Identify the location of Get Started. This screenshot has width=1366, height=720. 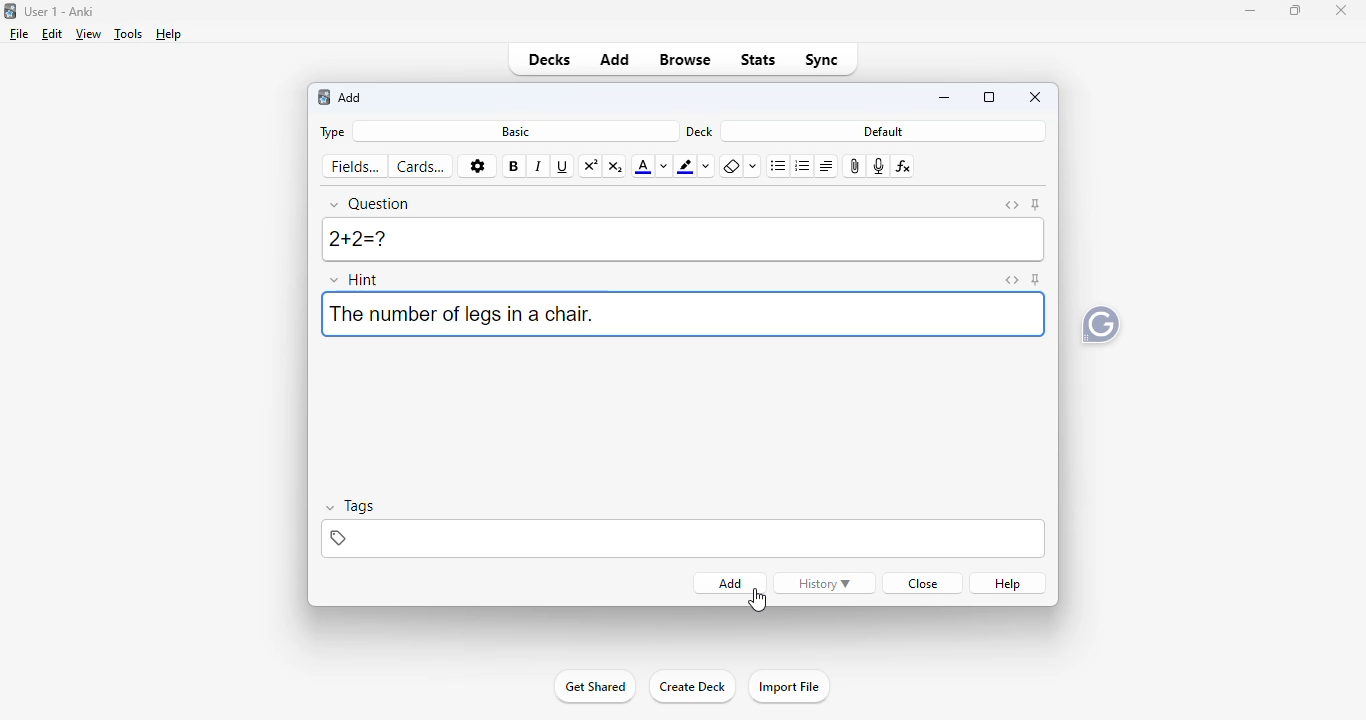
(594, 688).